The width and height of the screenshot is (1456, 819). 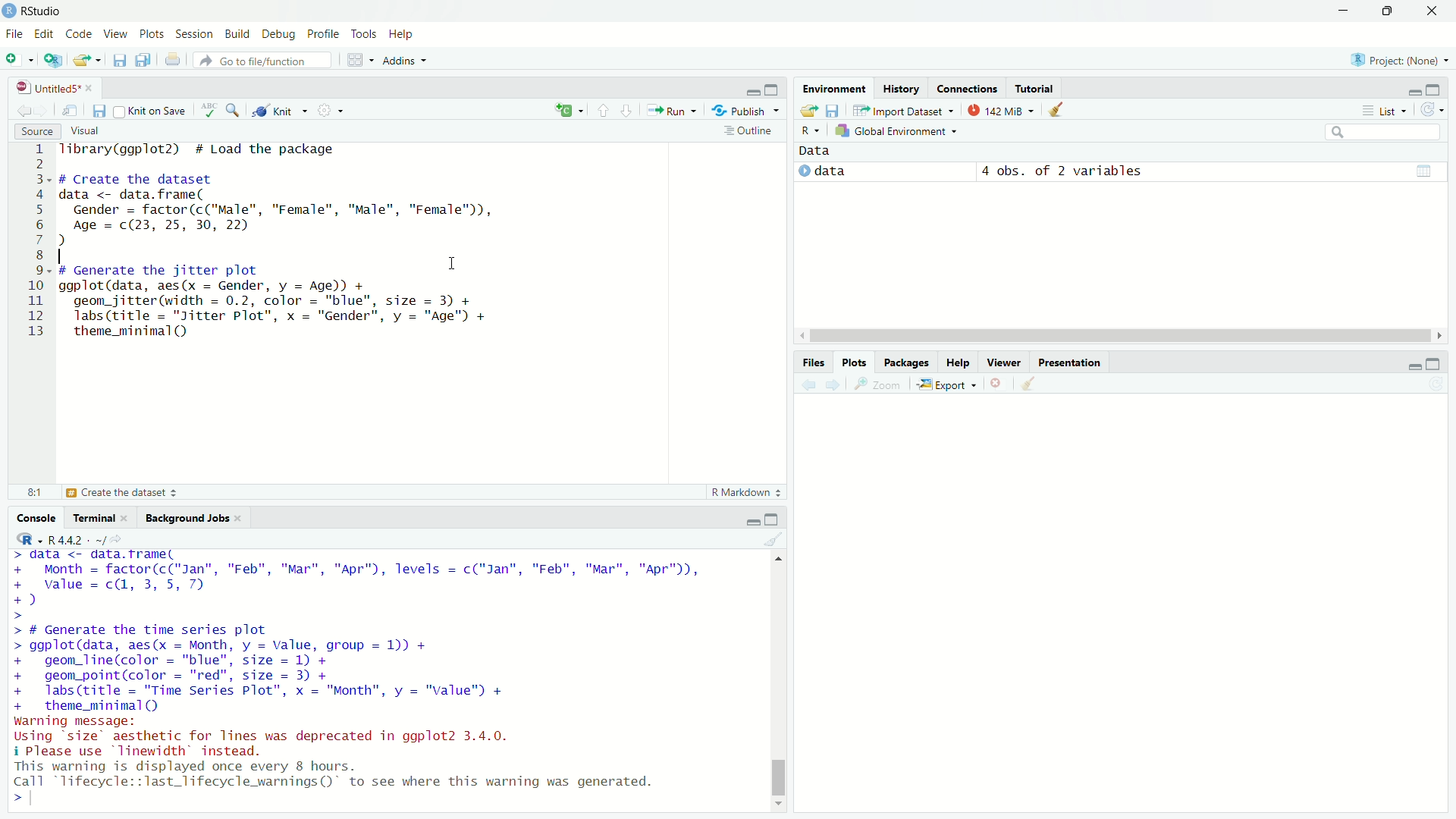 What do you see at coordinates (120, 59) in the screenshot?
I see `save current document` at bounding box center [120, 59].